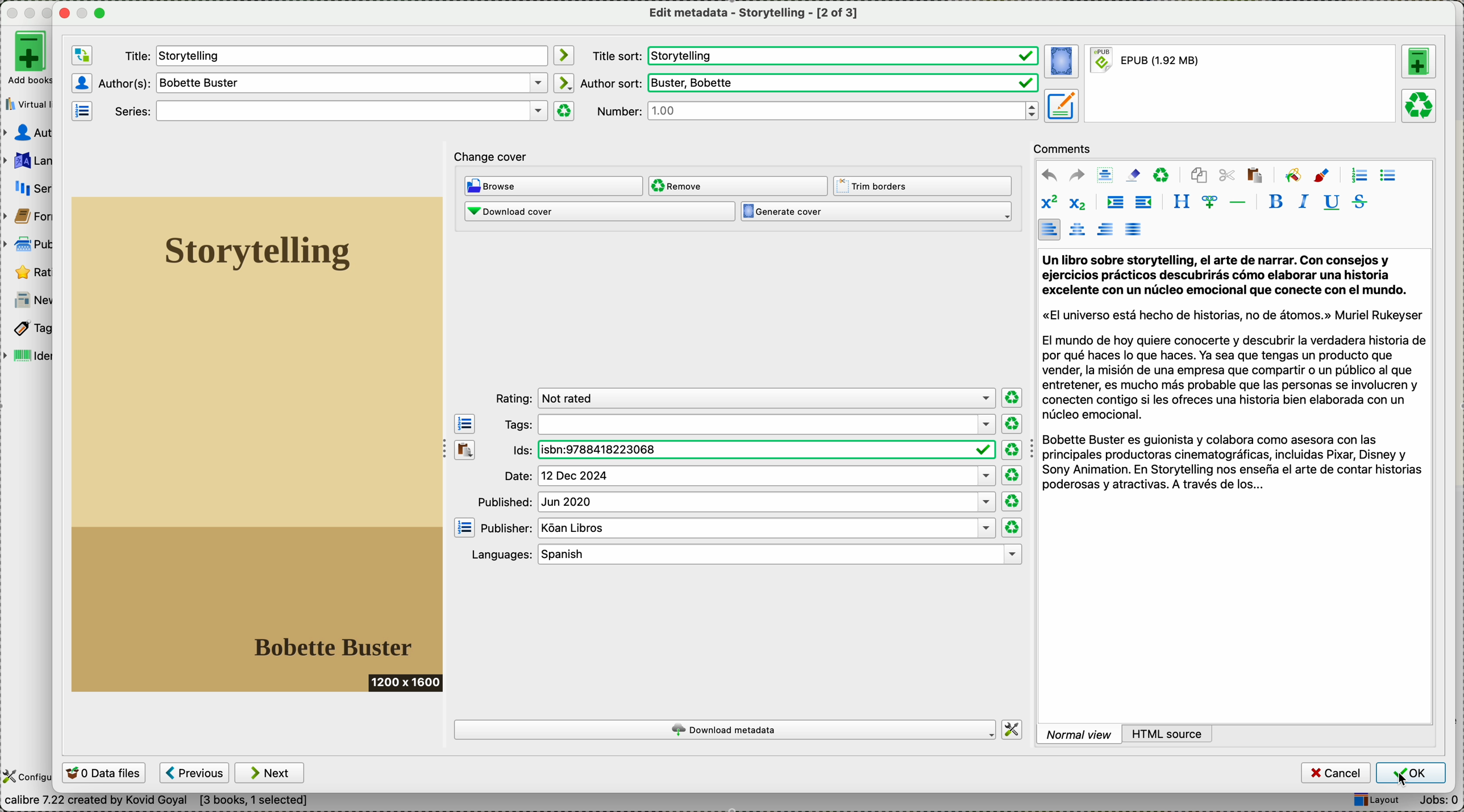  Describe the element at coordinates (1420, 106) in the screenshot. I see `remove the selected format from this book` at that location.